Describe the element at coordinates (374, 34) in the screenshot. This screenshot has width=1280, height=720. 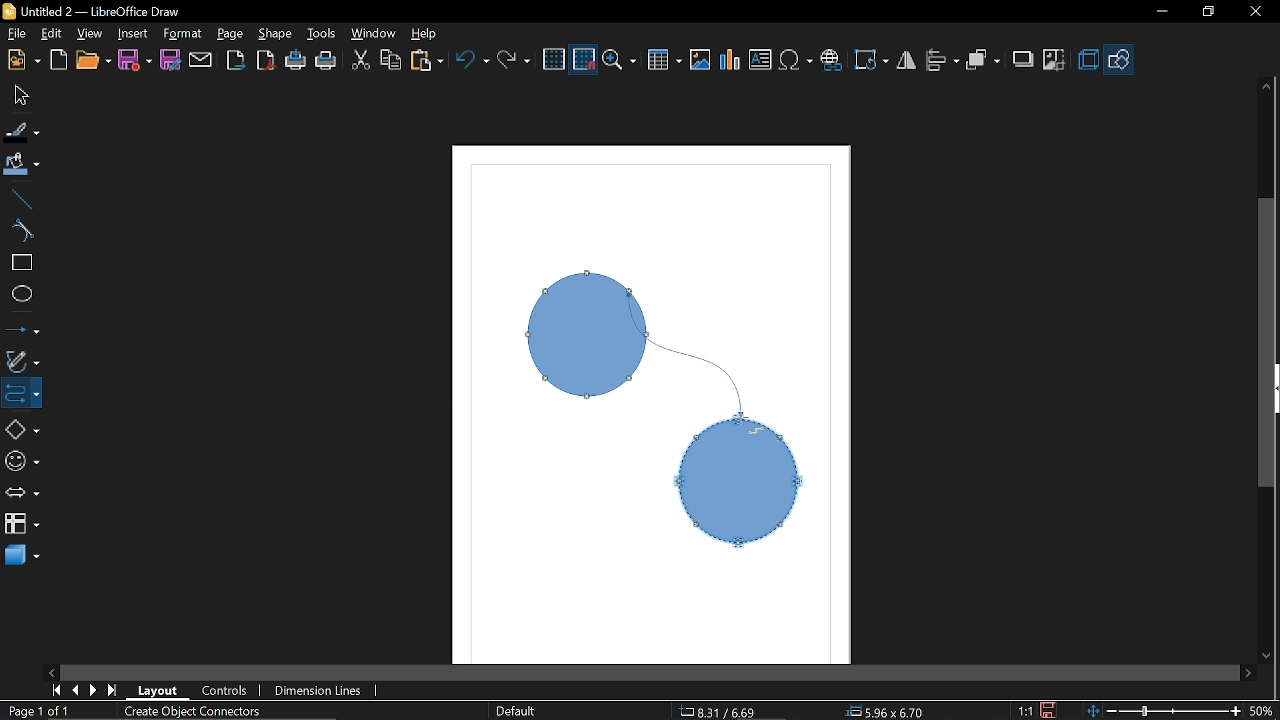
I see `Window` at that location.